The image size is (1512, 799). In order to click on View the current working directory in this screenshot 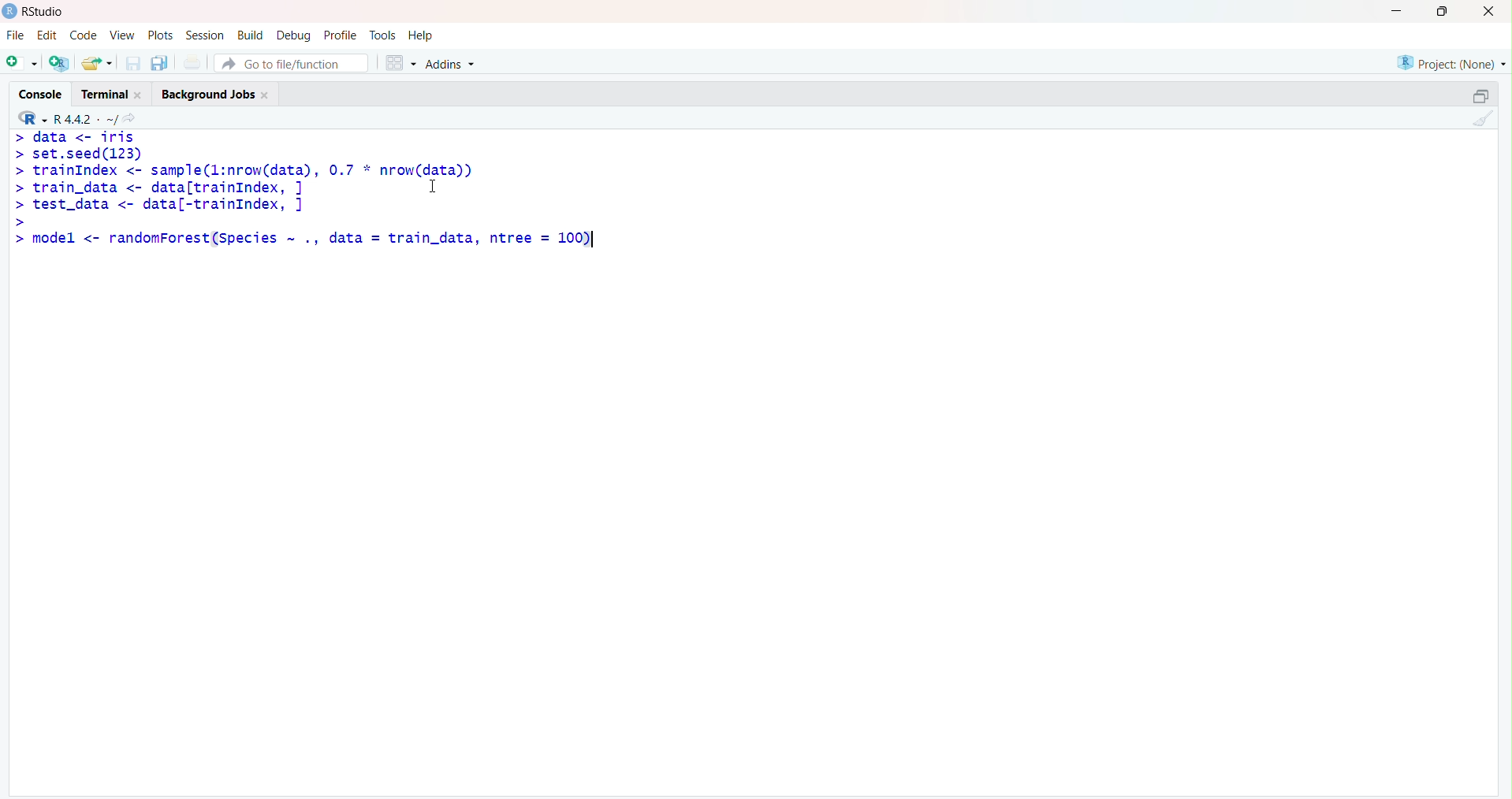, I will do `click(136, 117)`.